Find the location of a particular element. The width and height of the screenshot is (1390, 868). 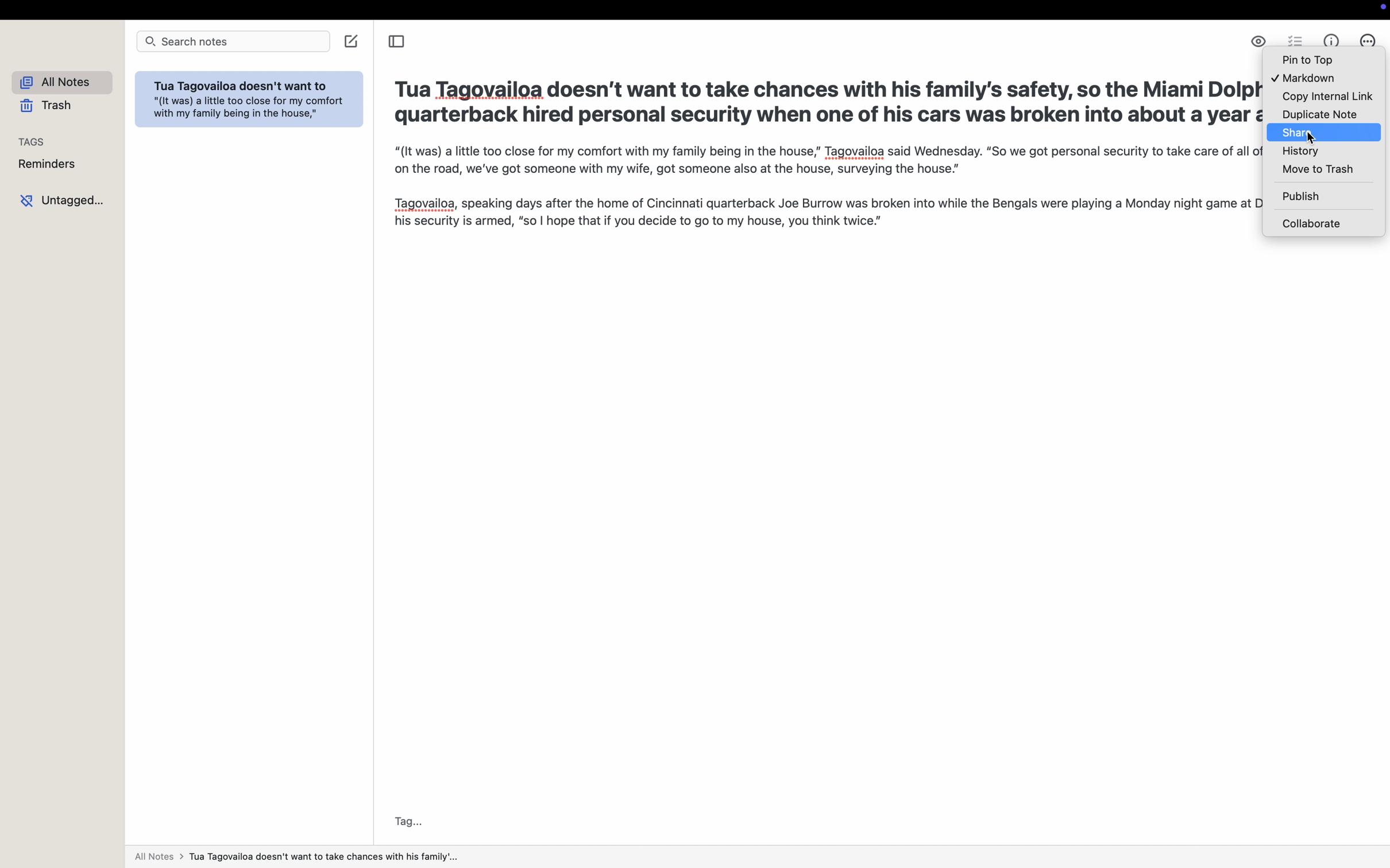

screen controls is located at coordinates (1381, 10).